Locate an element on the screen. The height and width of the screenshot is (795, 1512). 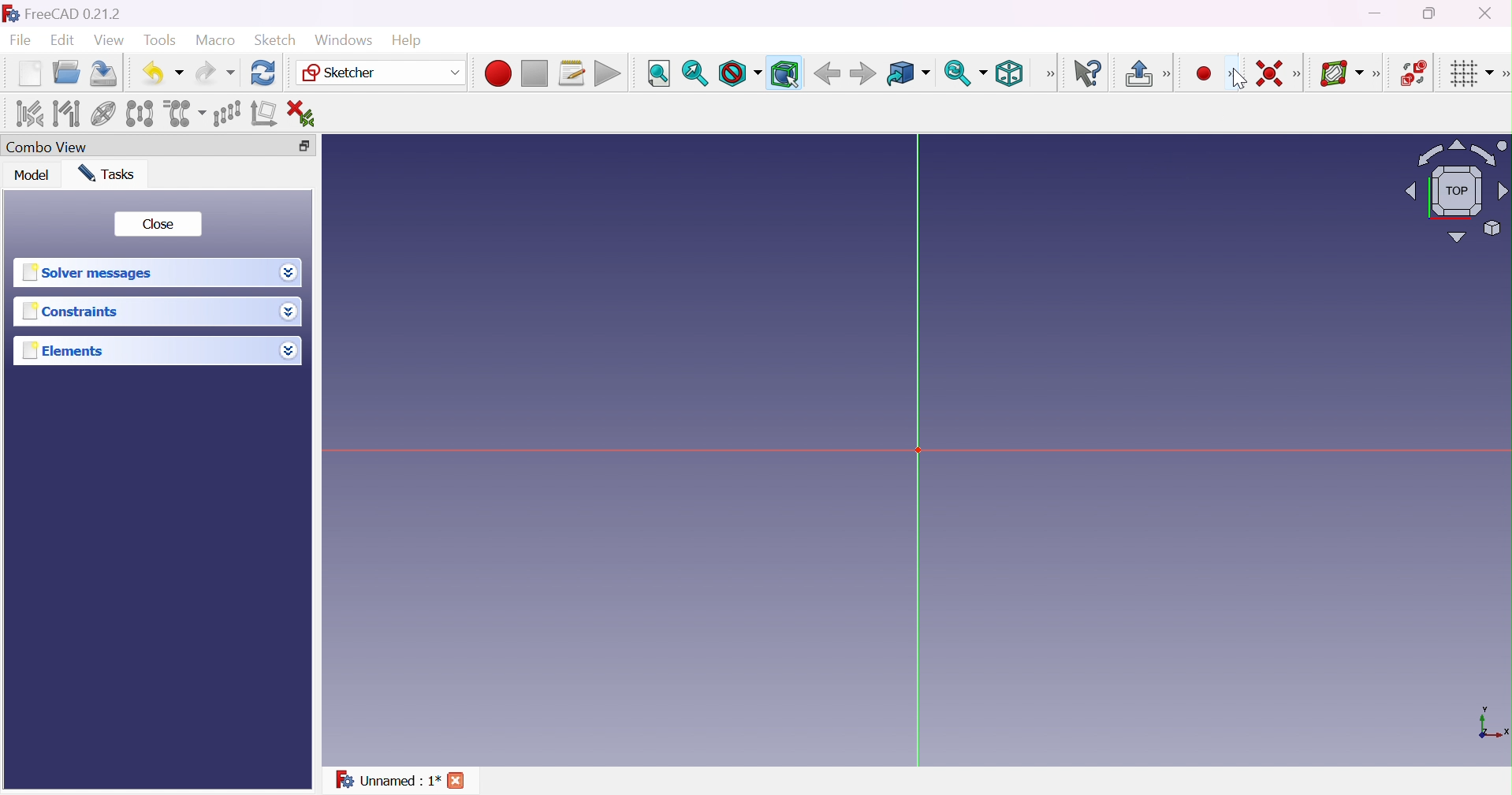
Forward is located at coordinates (863, 75).